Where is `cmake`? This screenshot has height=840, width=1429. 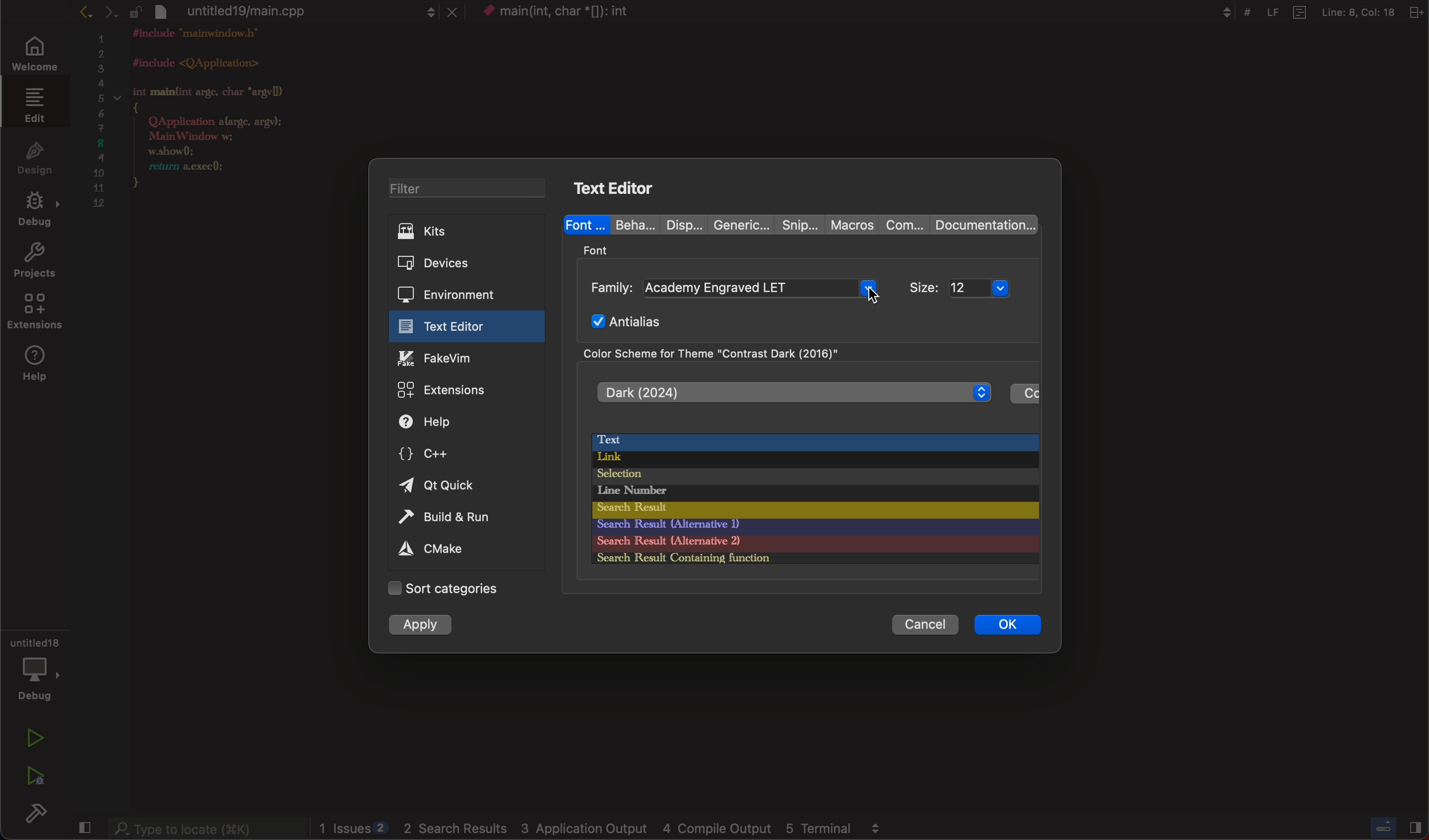
cmake is located at coordinates (434, 550).